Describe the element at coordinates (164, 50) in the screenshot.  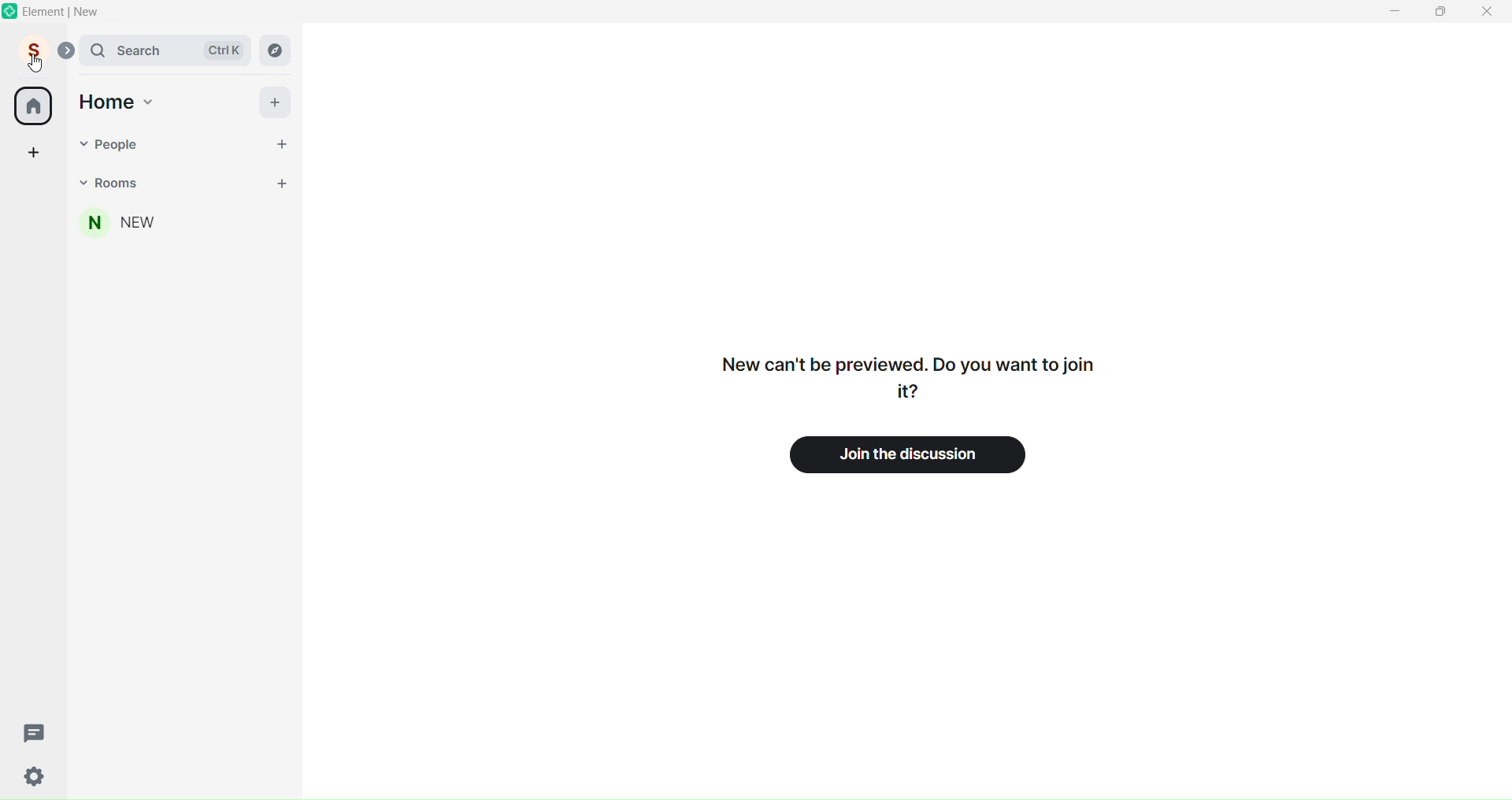
I see `Search Bar` at that location.